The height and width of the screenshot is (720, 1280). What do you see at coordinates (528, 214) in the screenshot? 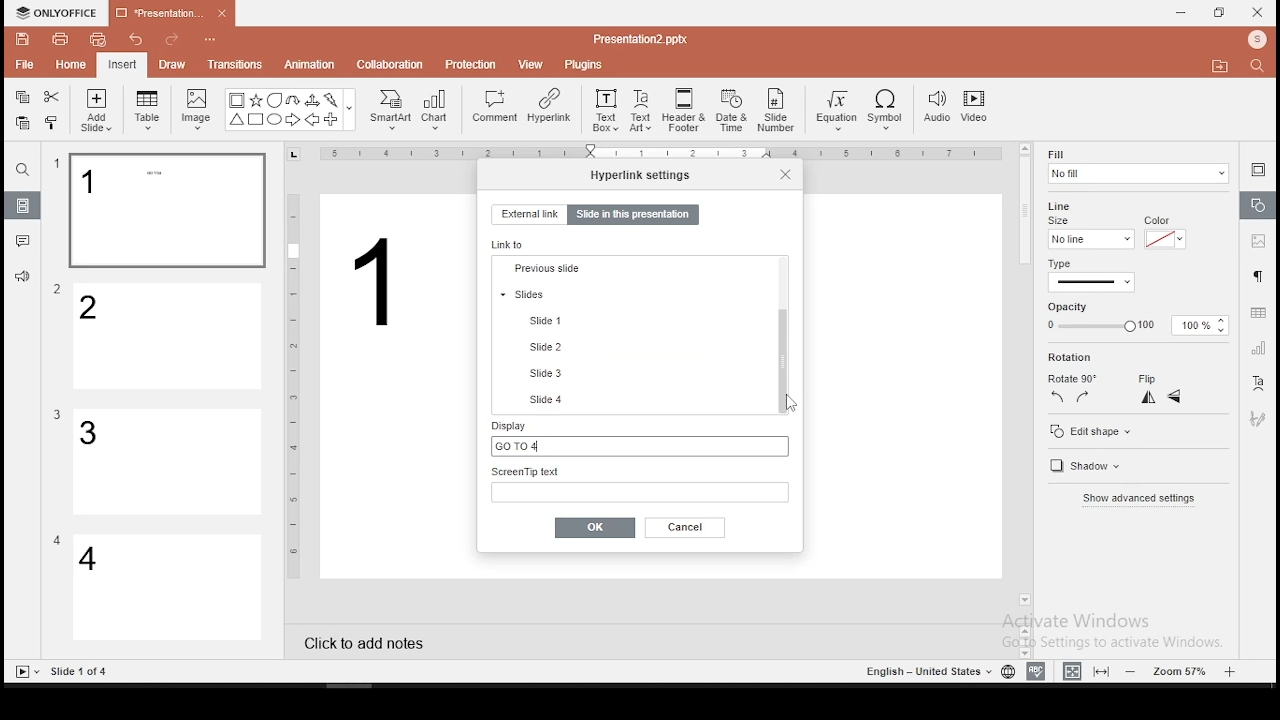
I see `external link` at bounding box center [528, 214].